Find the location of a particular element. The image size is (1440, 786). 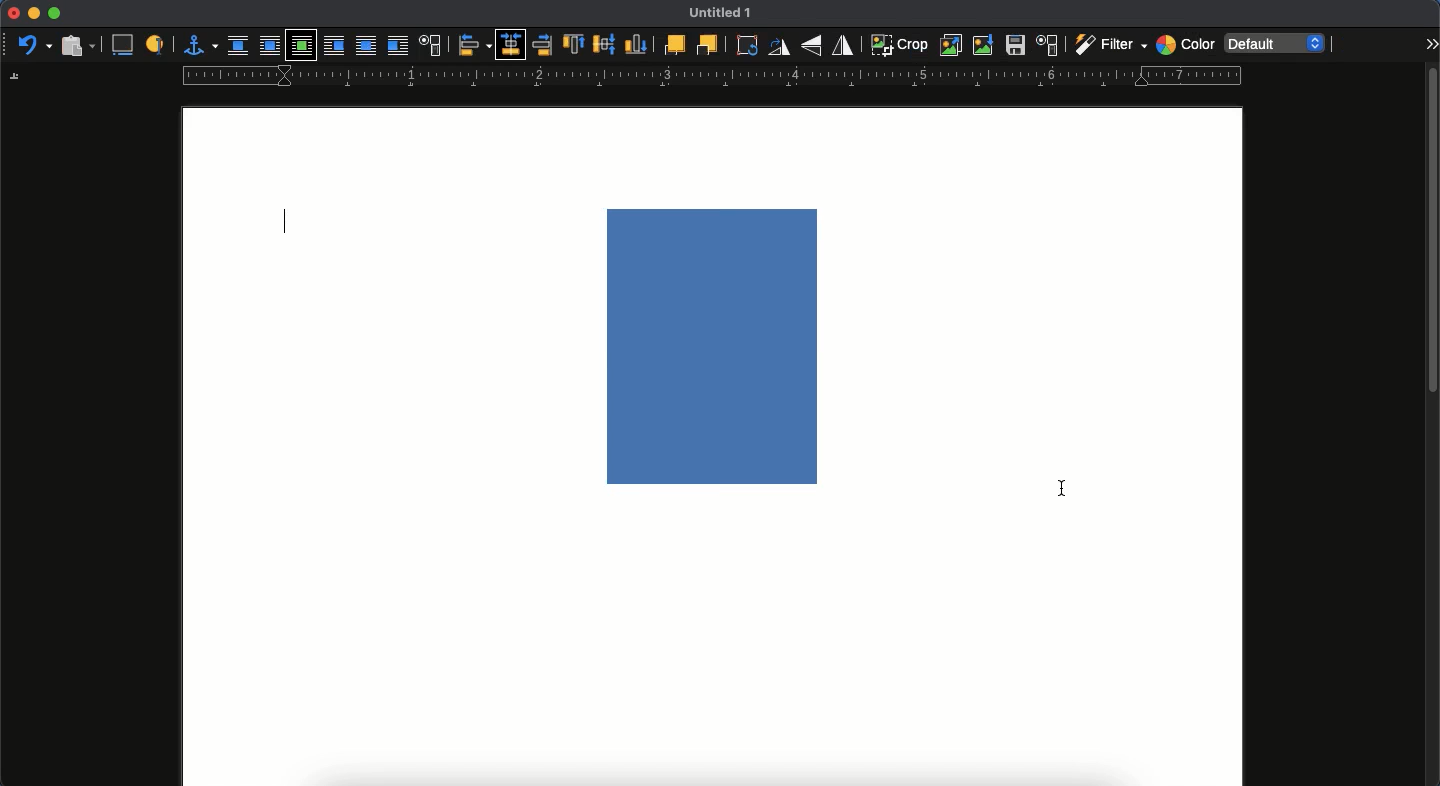

page is located at coordinates (713, 660).